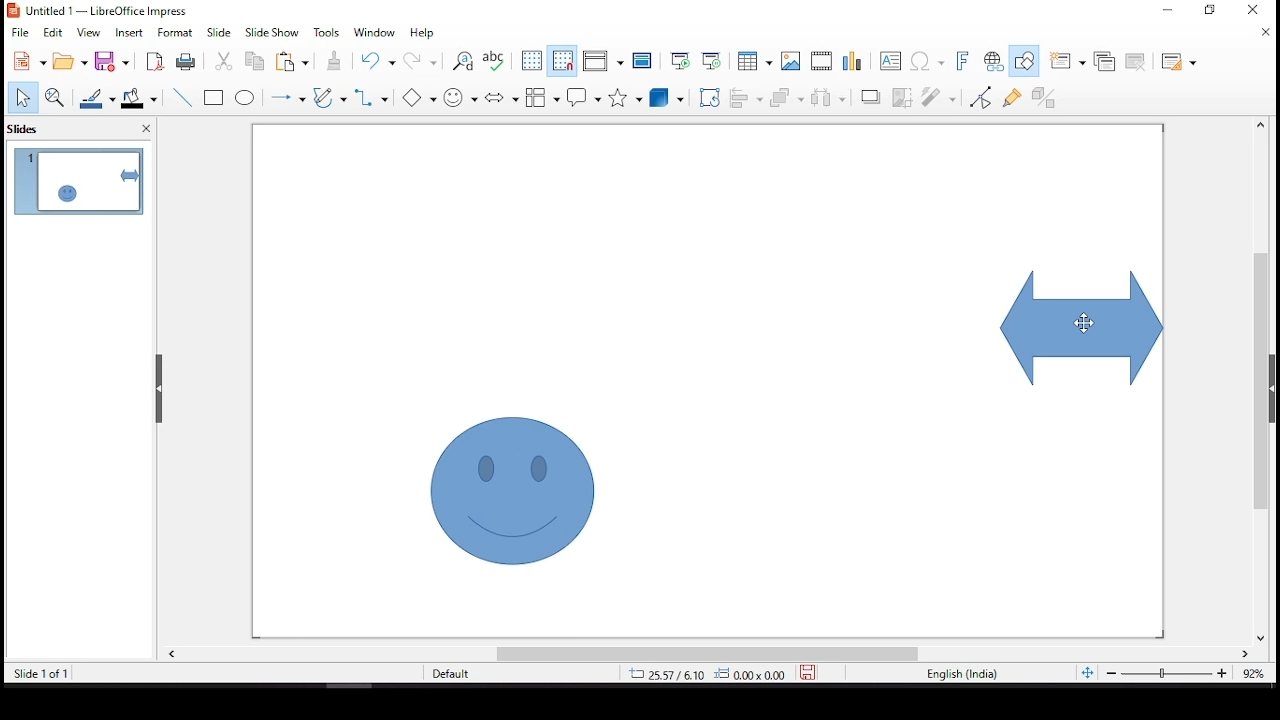 This screenshot has height=720, width=1280. What do you see at coordinates (131, 33) in the screenshot?
I see `insert` at bounding box center [131, 33].